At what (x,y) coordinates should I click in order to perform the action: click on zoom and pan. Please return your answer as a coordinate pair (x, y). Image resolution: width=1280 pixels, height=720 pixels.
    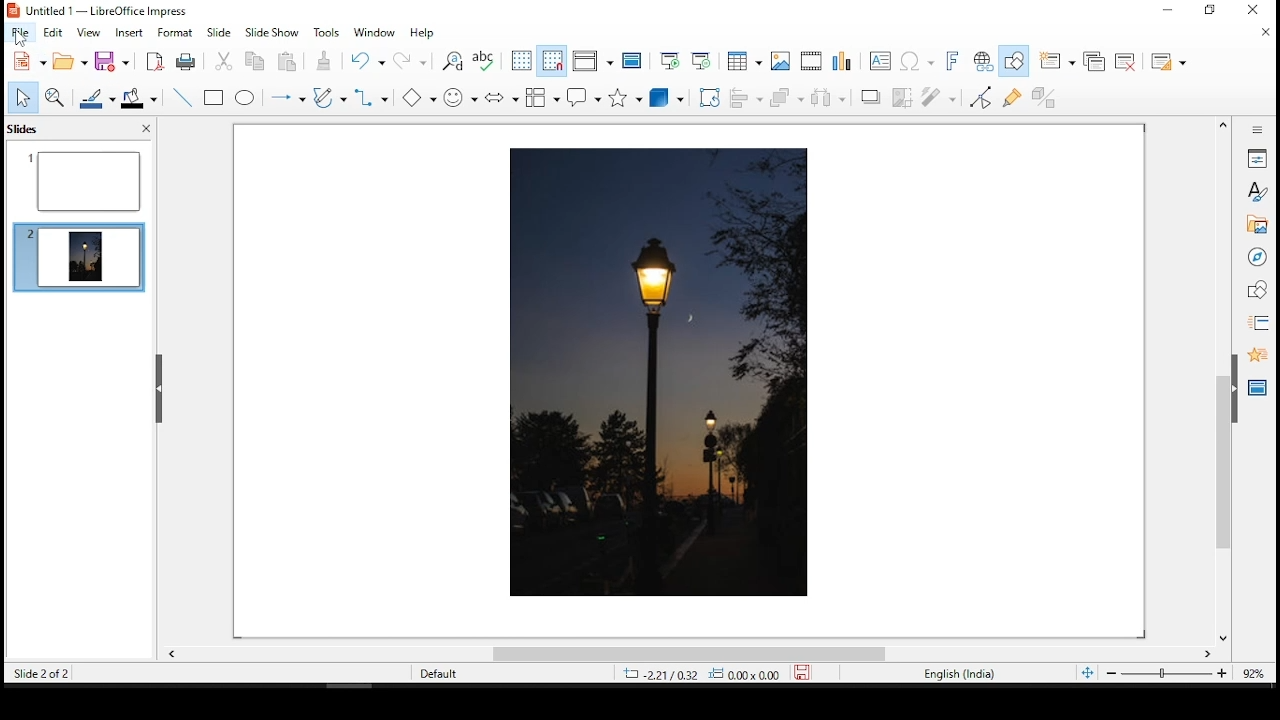
    Looking at the image, I should click on (58, 99).